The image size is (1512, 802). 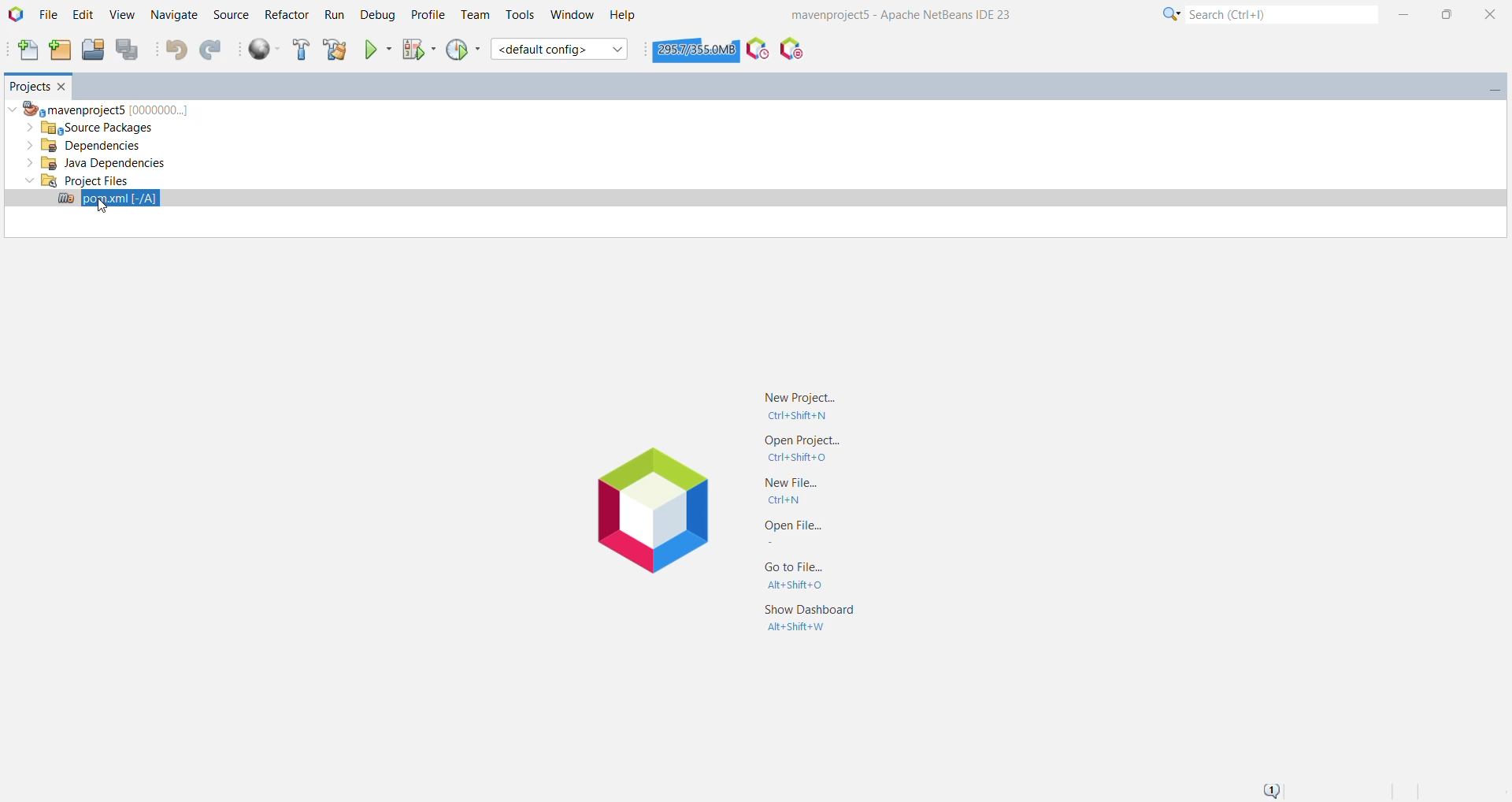 I want to click on Restore Down, so click(x=1446, y=13).